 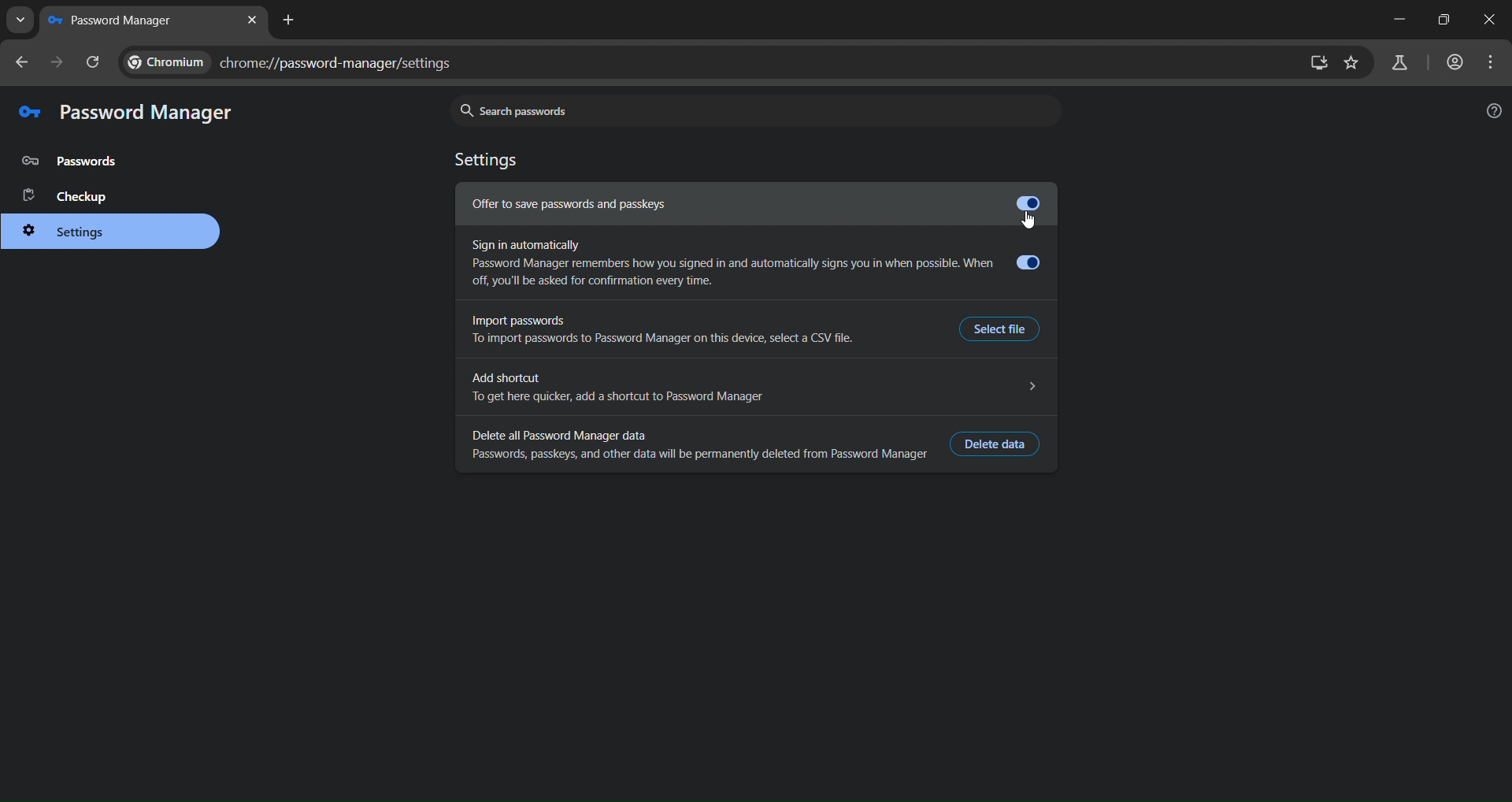 I want to click on sign in automatically Password manager sometimes remembers how you signed in and automatically signs you in when possible, so click(x=758, y=263).